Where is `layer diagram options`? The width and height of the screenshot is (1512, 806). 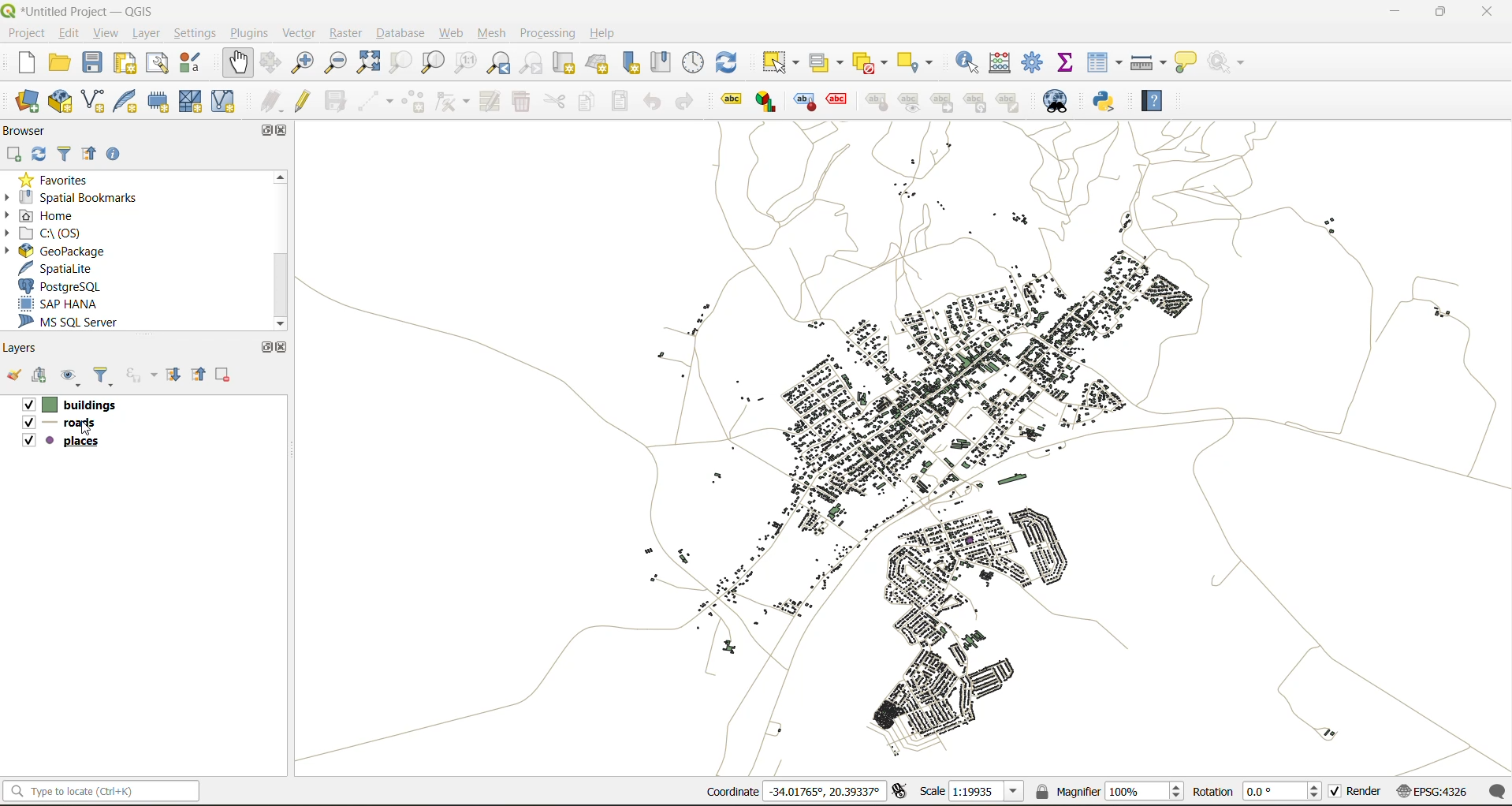 layer diagram options is located at coordinates (769, 102).